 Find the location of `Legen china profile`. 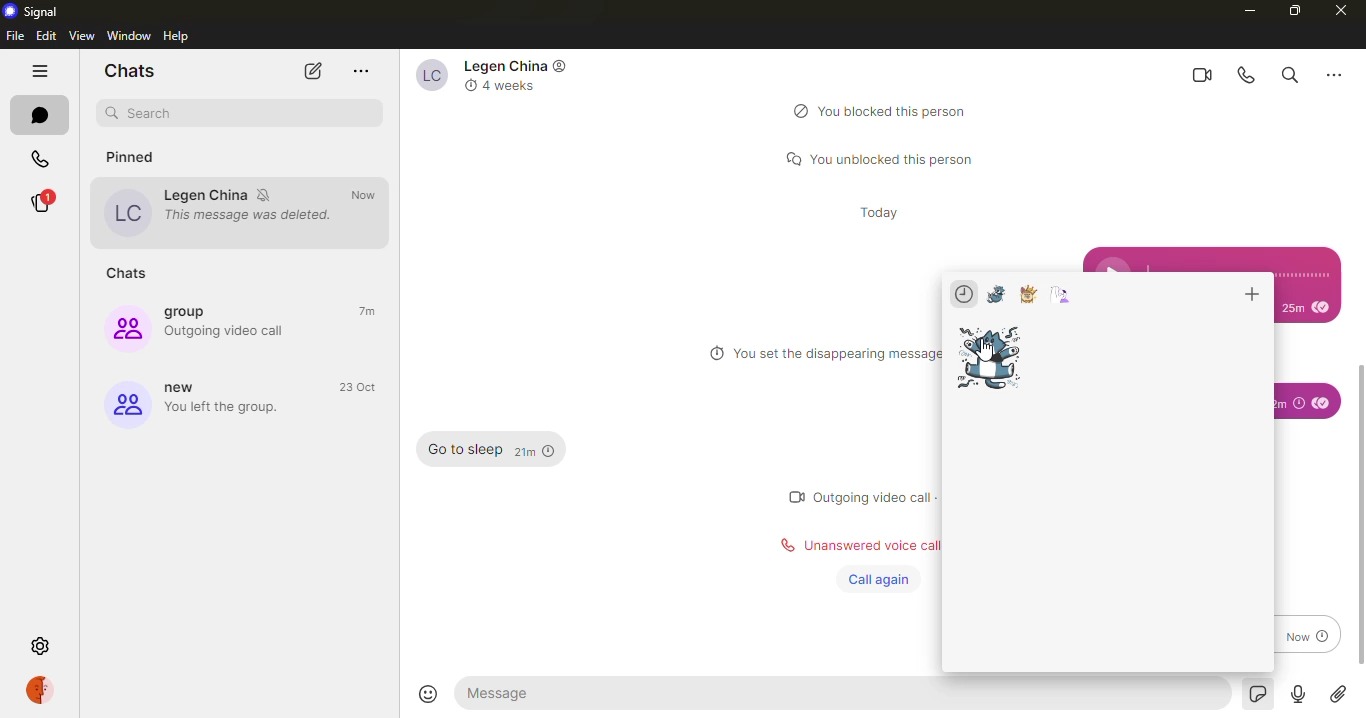

Legen china profile is located at coordinates (125, 213).